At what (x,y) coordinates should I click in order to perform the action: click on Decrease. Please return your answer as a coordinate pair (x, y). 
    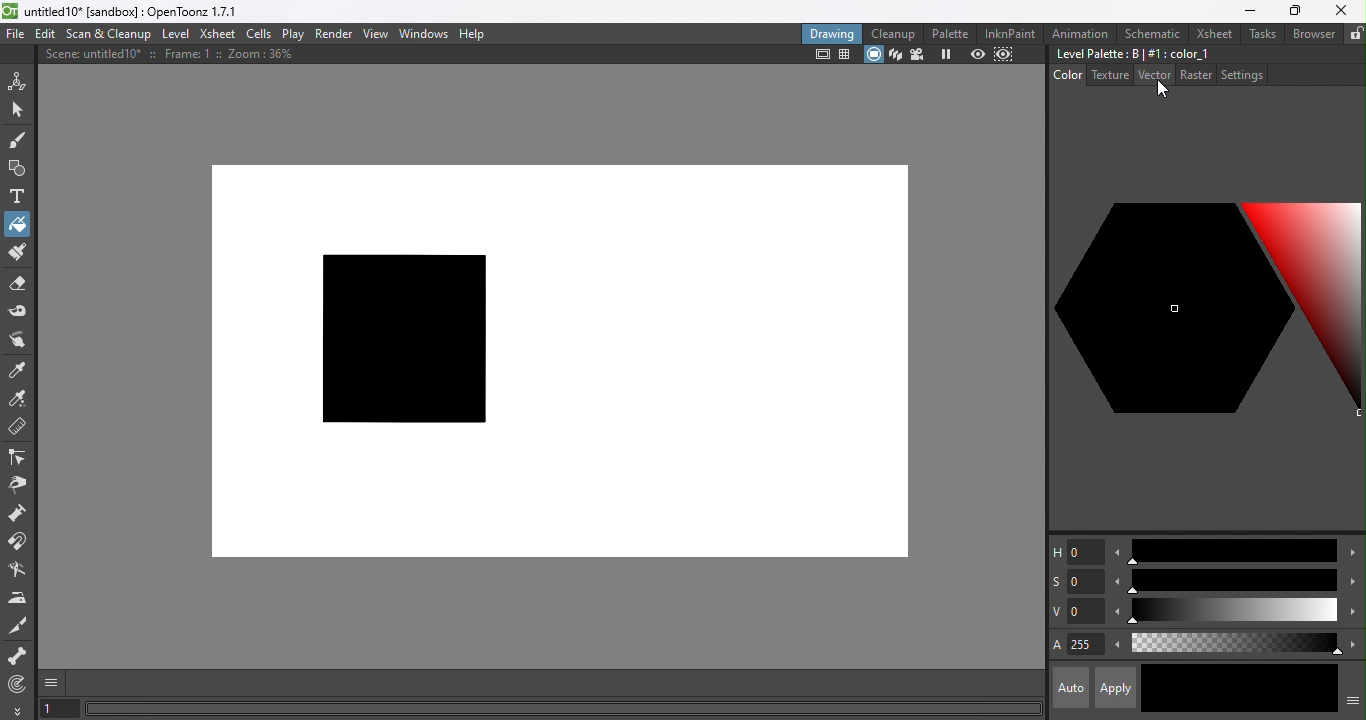
    Looking at the image, I should click on (1115, 581).